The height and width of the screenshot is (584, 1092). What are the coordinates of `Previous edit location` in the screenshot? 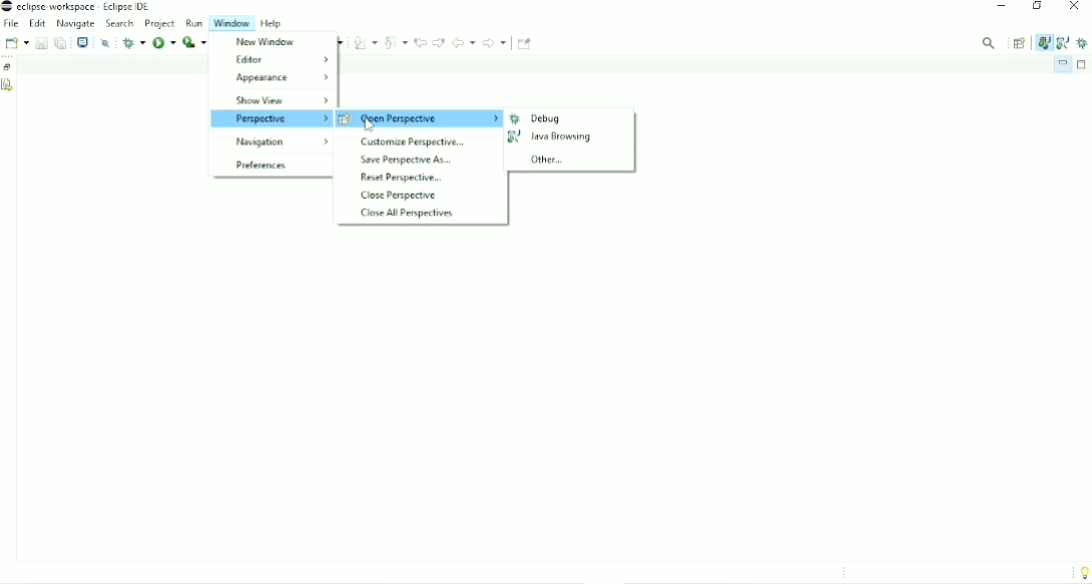 It's located at (420, 42).